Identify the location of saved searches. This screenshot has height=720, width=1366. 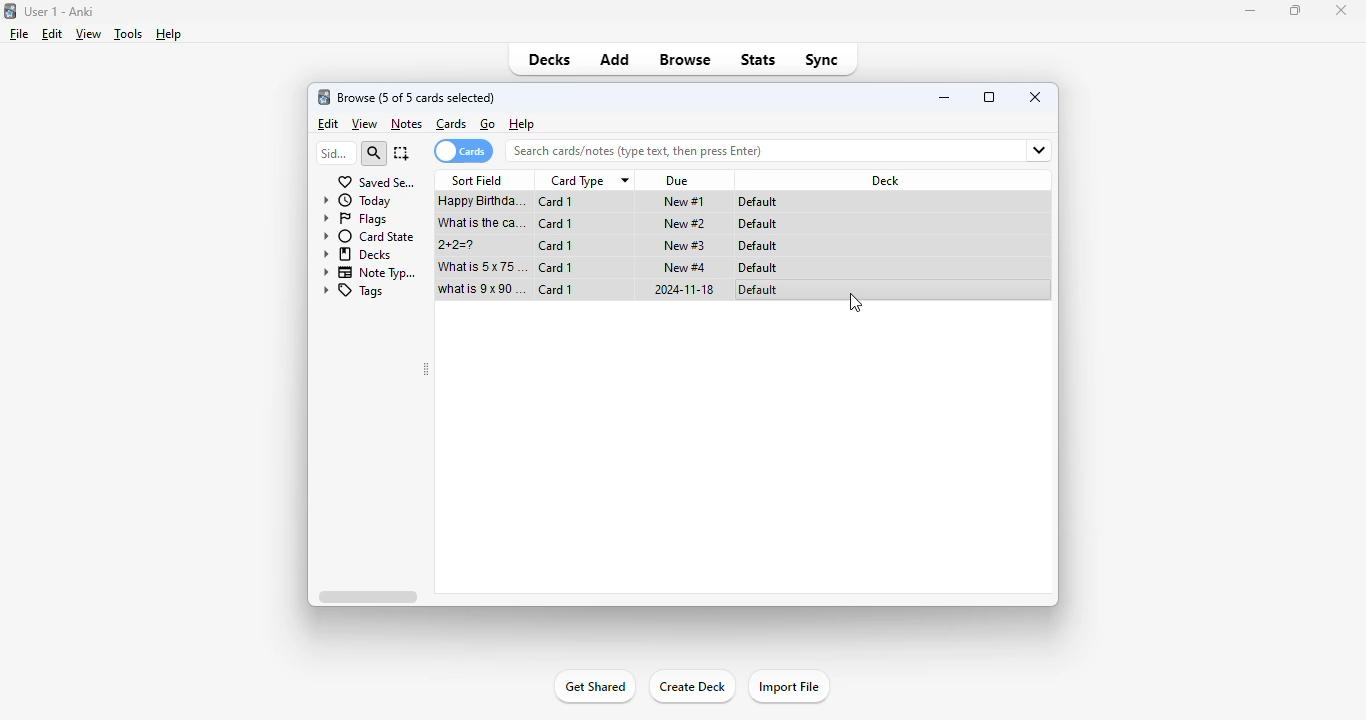
(377, 182).